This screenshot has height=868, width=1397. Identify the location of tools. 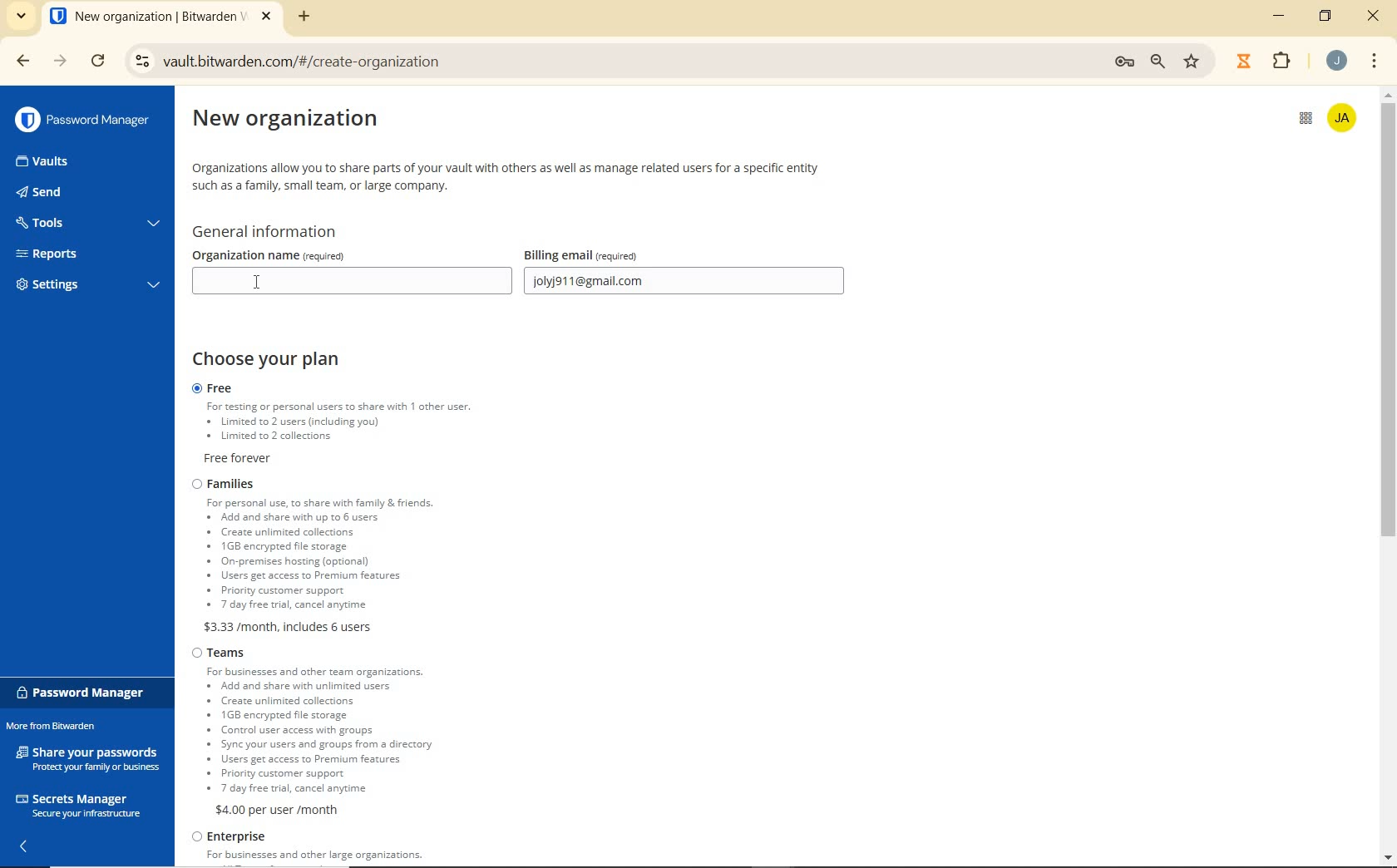
(86, 224).